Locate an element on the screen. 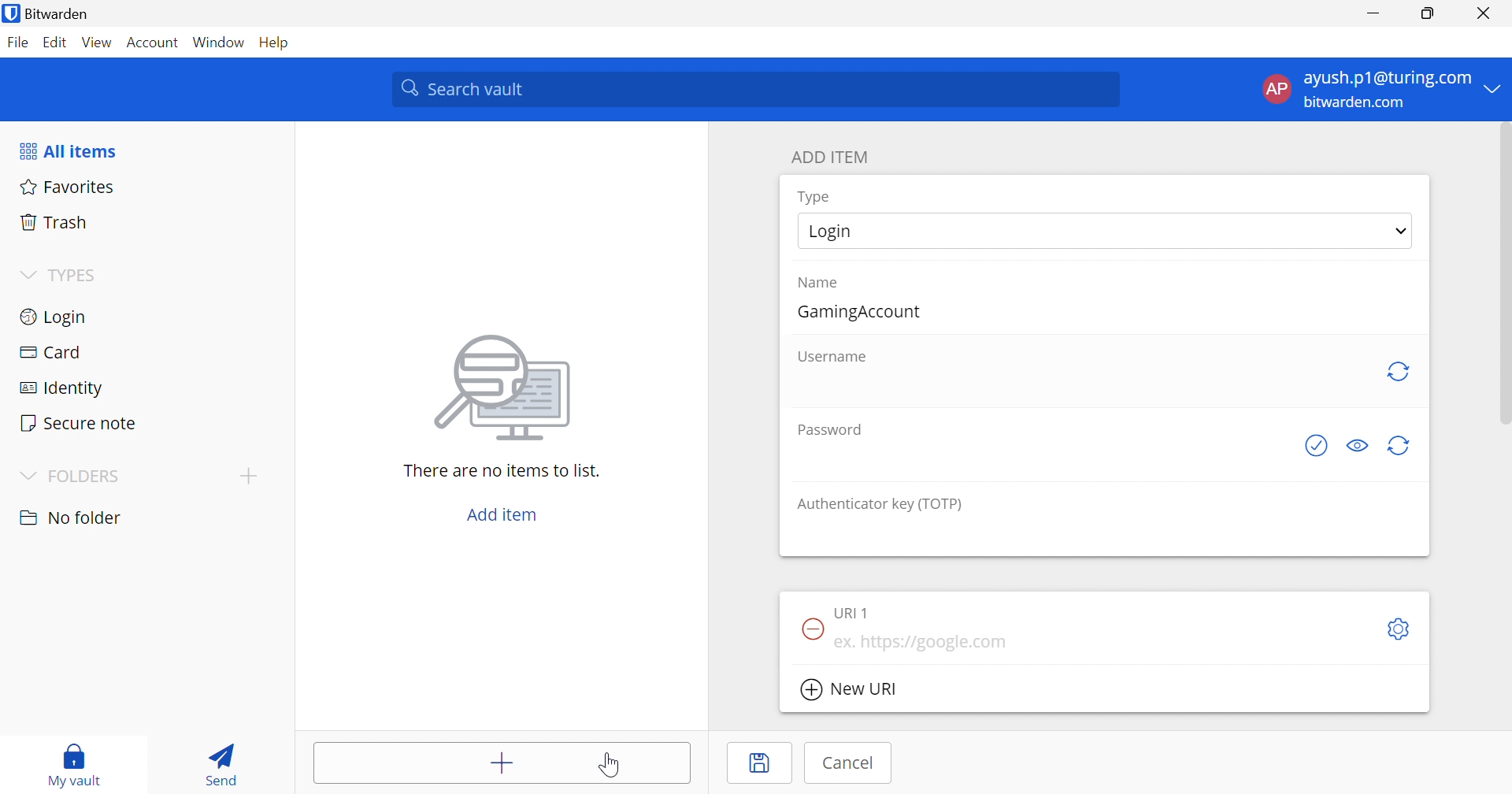  Search vault is located at coordinates (757, 89).